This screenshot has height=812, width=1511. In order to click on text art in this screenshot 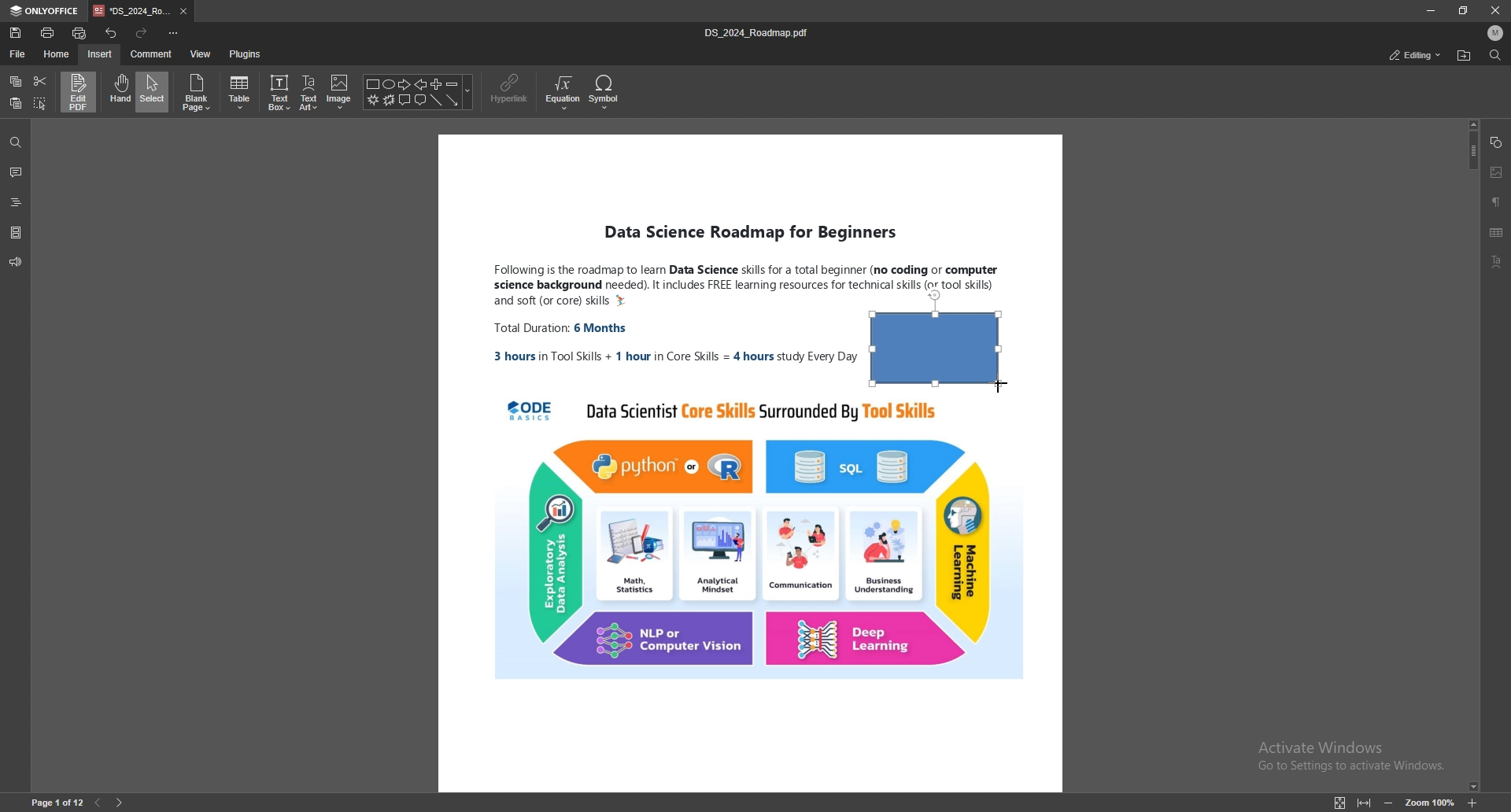, I will do `click(310, 92)`.